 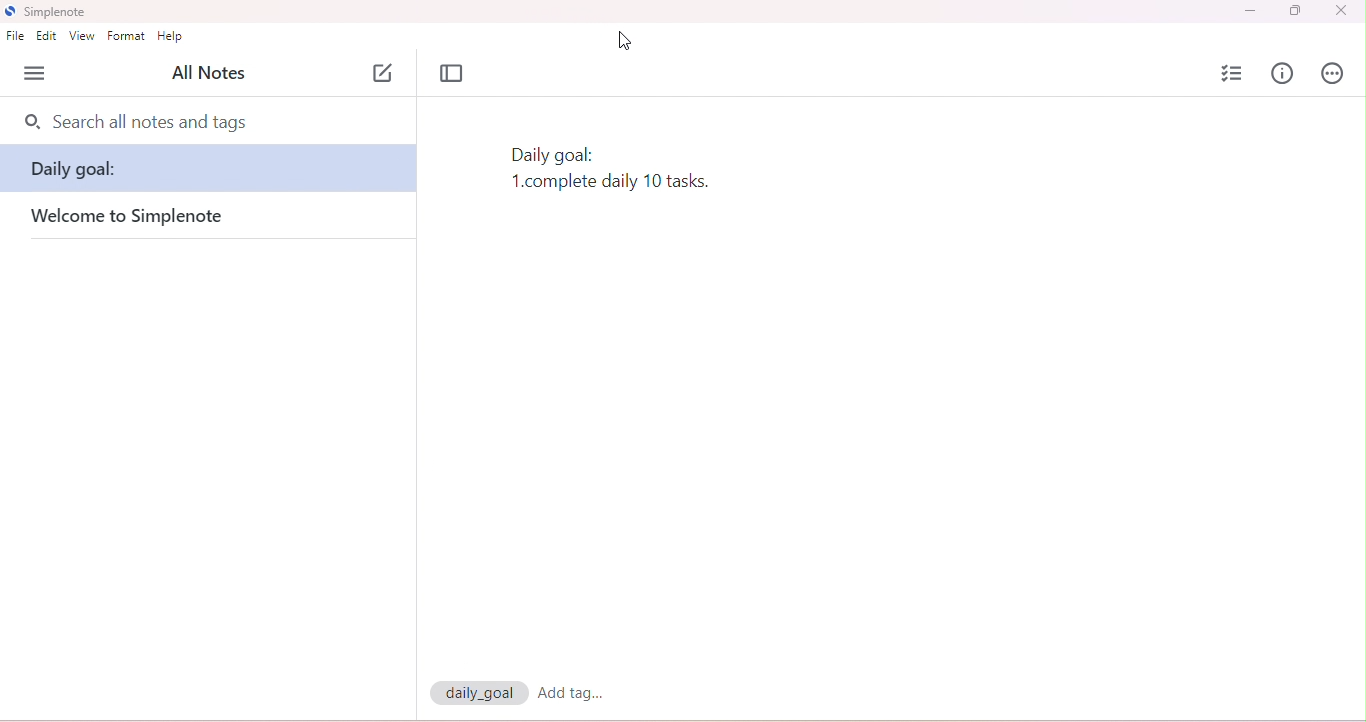 I want to click on actions, so click(x=1331, y=73).